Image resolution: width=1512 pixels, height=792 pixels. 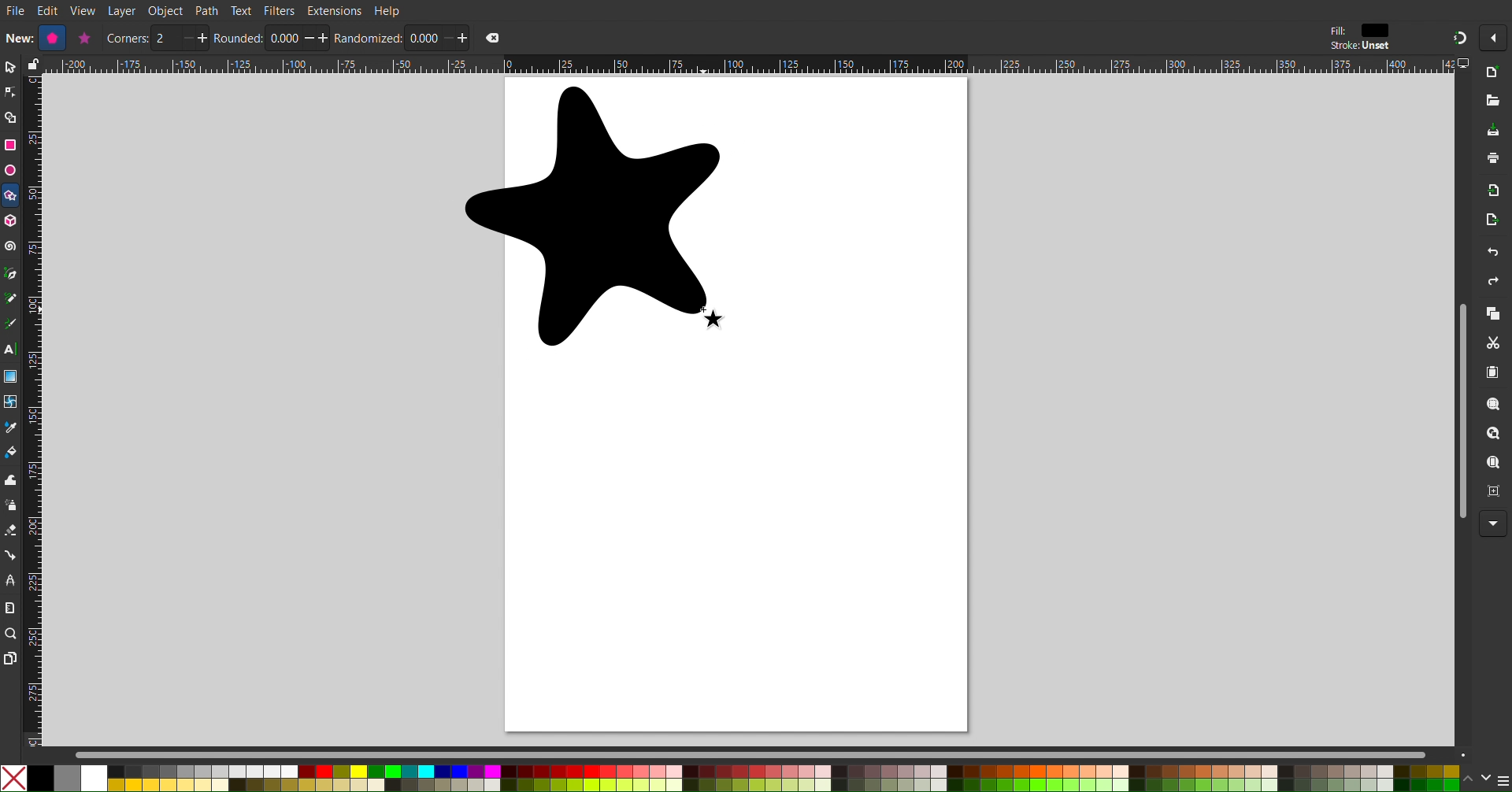 I want to click on Edit, so click(x=50, y=11).